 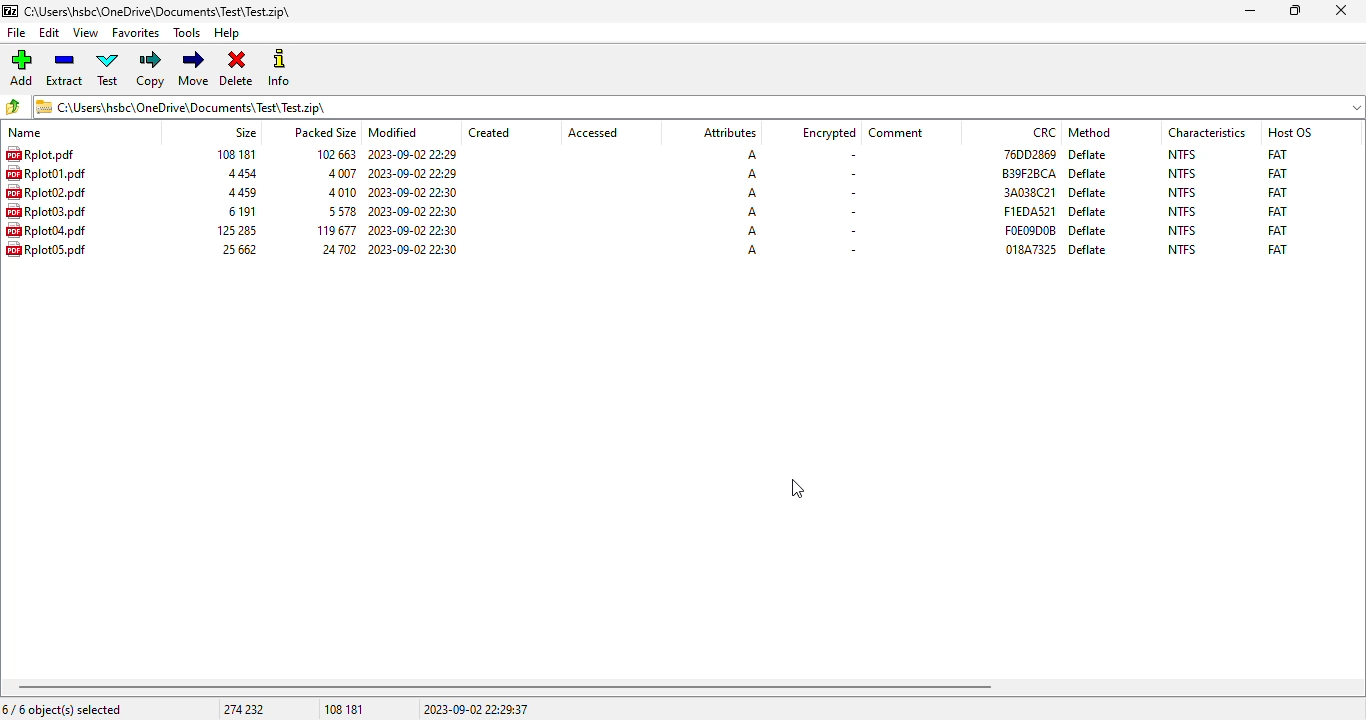 I want to click on size, so click(x=245, y=132).